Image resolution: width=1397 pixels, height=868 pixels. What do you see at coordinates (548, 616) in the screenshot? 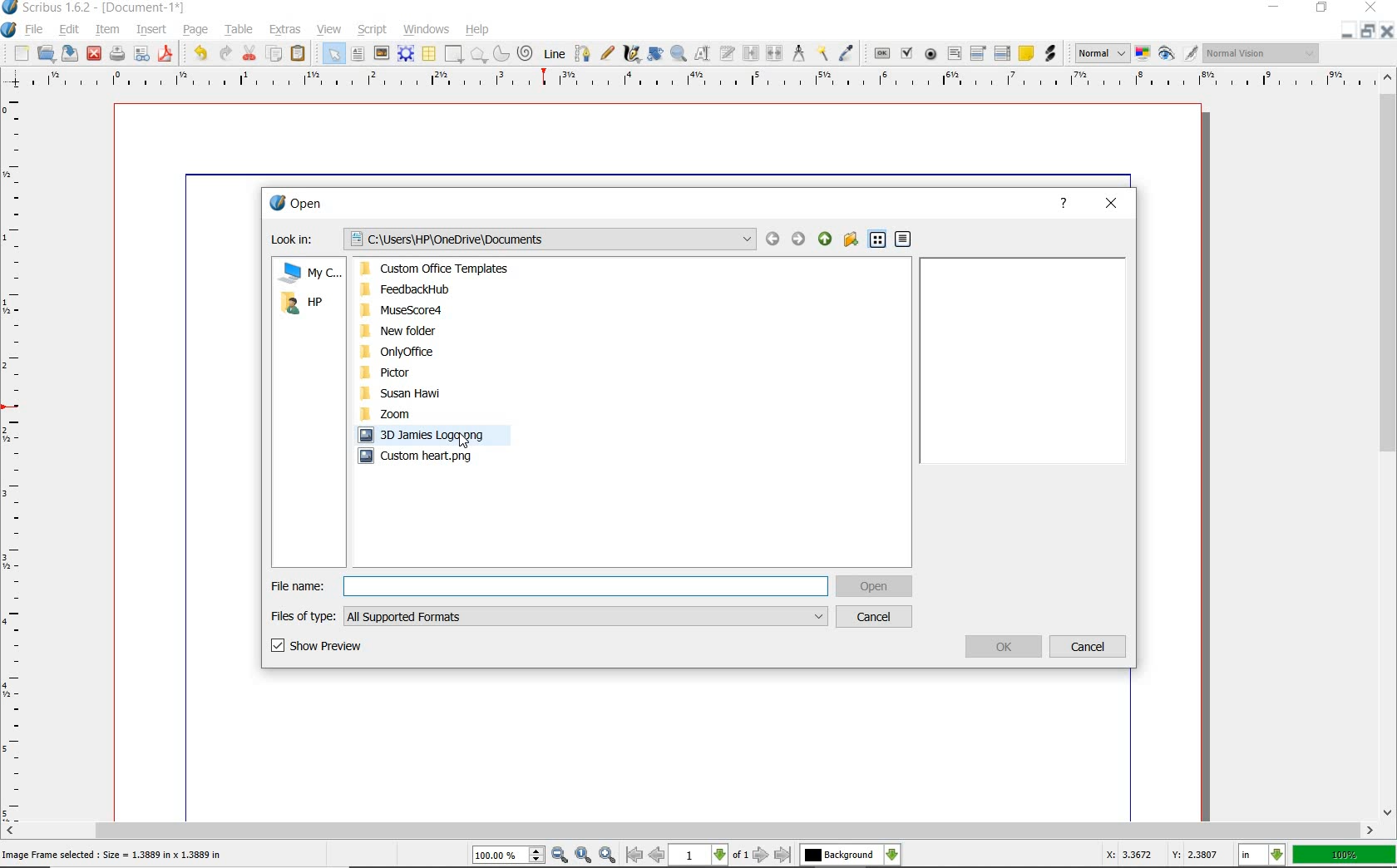
I see `FILES OF TYPE` at bounding box center [548, 616].